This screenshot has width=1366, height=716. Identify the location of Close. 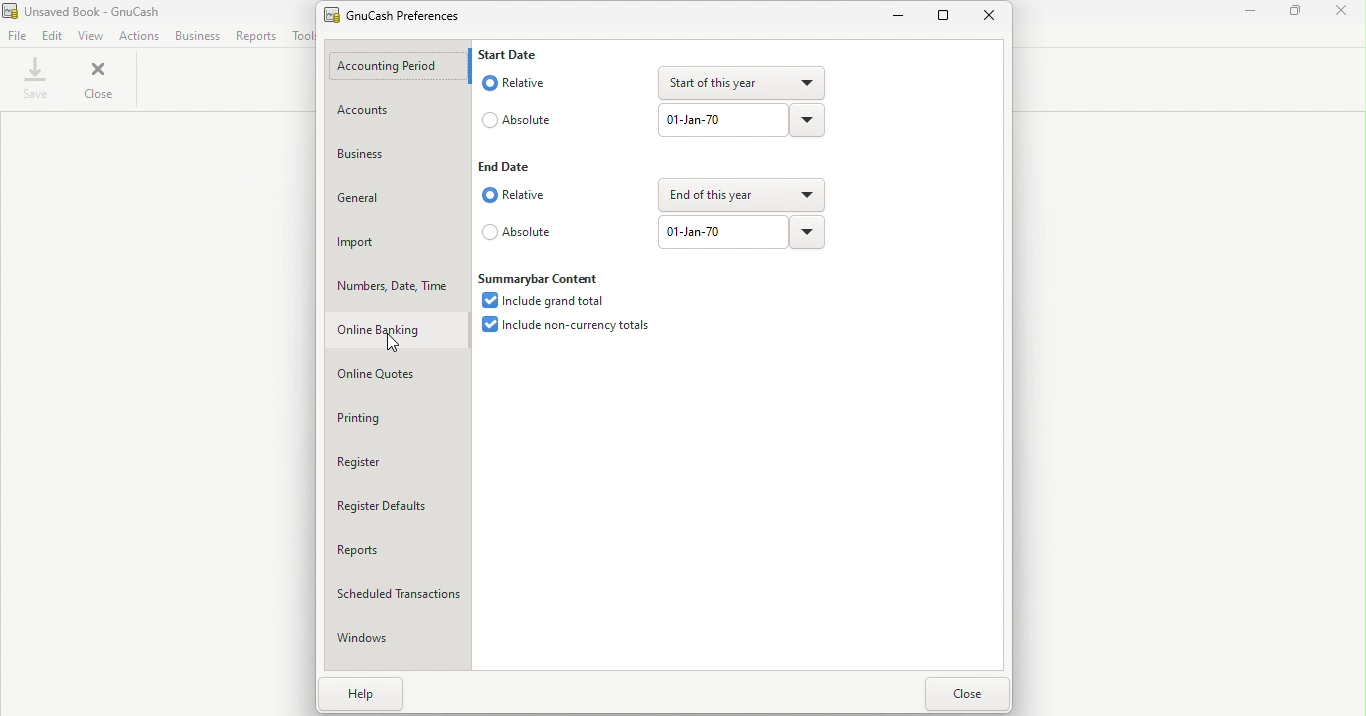
(1342, 14).